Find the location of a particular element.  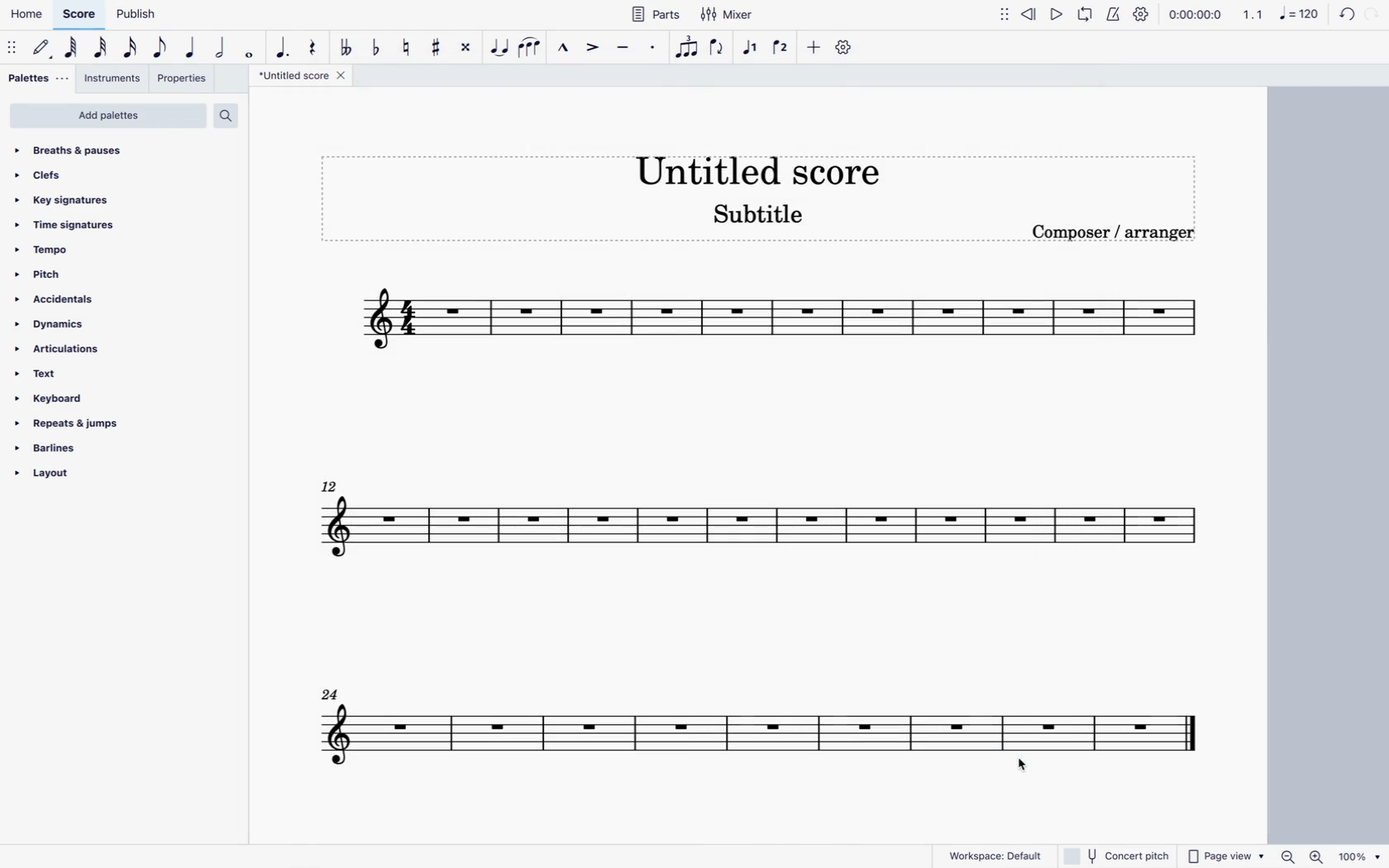

voice 1 is located at coordinates (752, 49).